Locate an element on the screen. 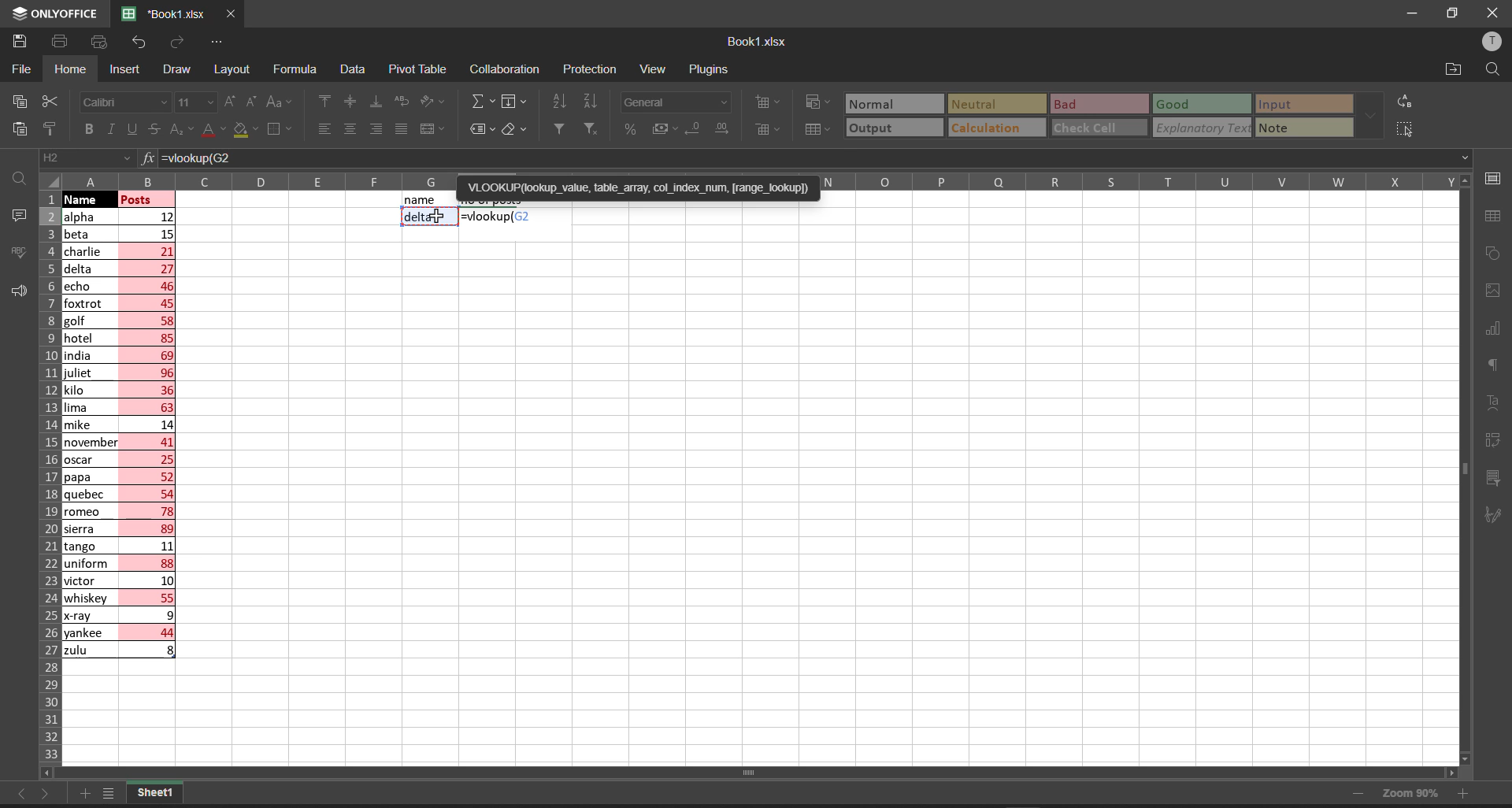 Image resolution: width=1512 pixels, height=808 pixels. align right is located at coordinates (372, 128).